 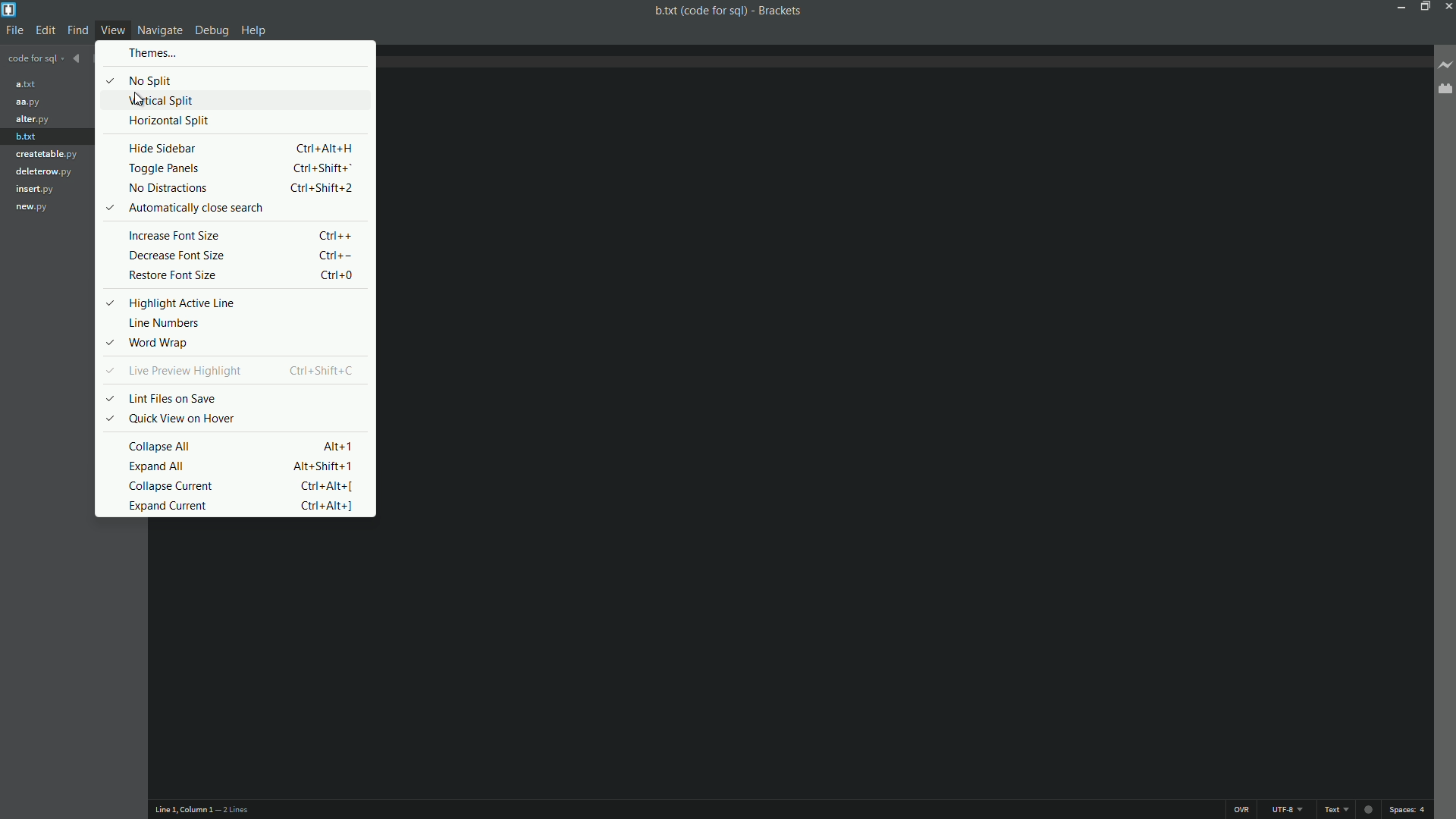 What do you see at coordinates (1341, 811) in the screenshot?
I see `text` at bounding box center [1341, 811].